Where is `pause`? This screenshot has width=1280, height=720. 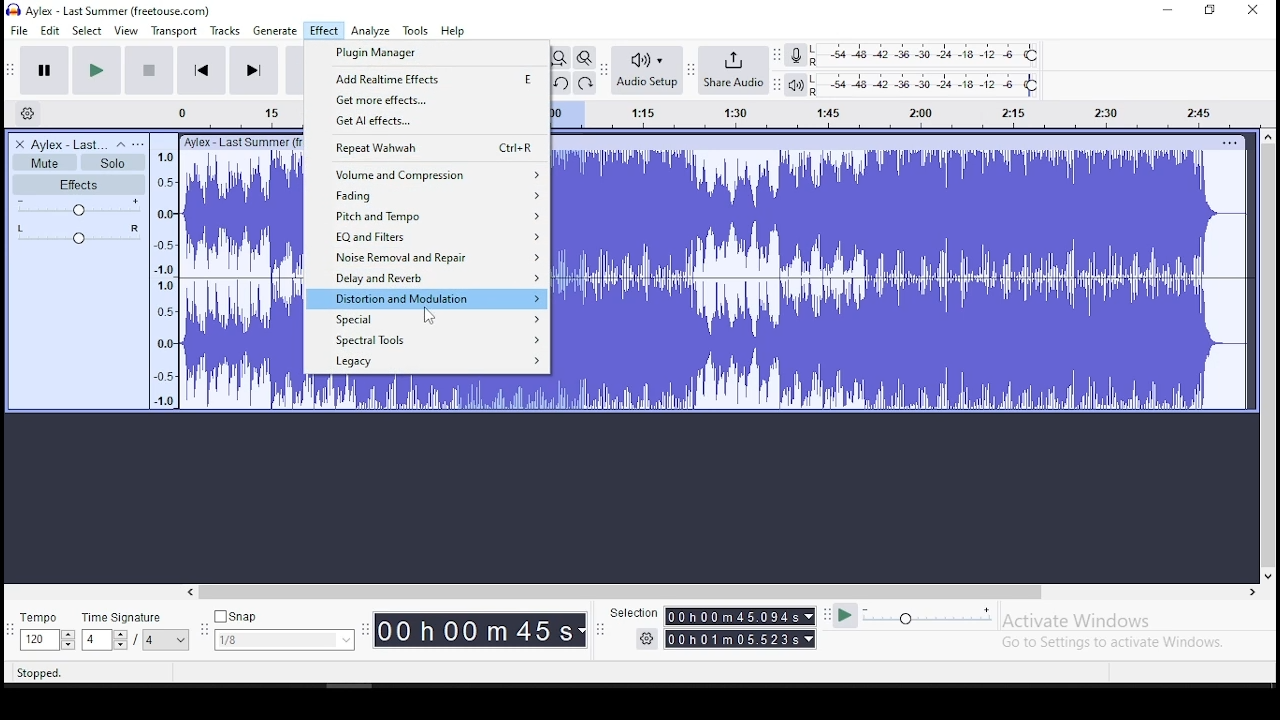 pause is located at coordinates (42, 70).